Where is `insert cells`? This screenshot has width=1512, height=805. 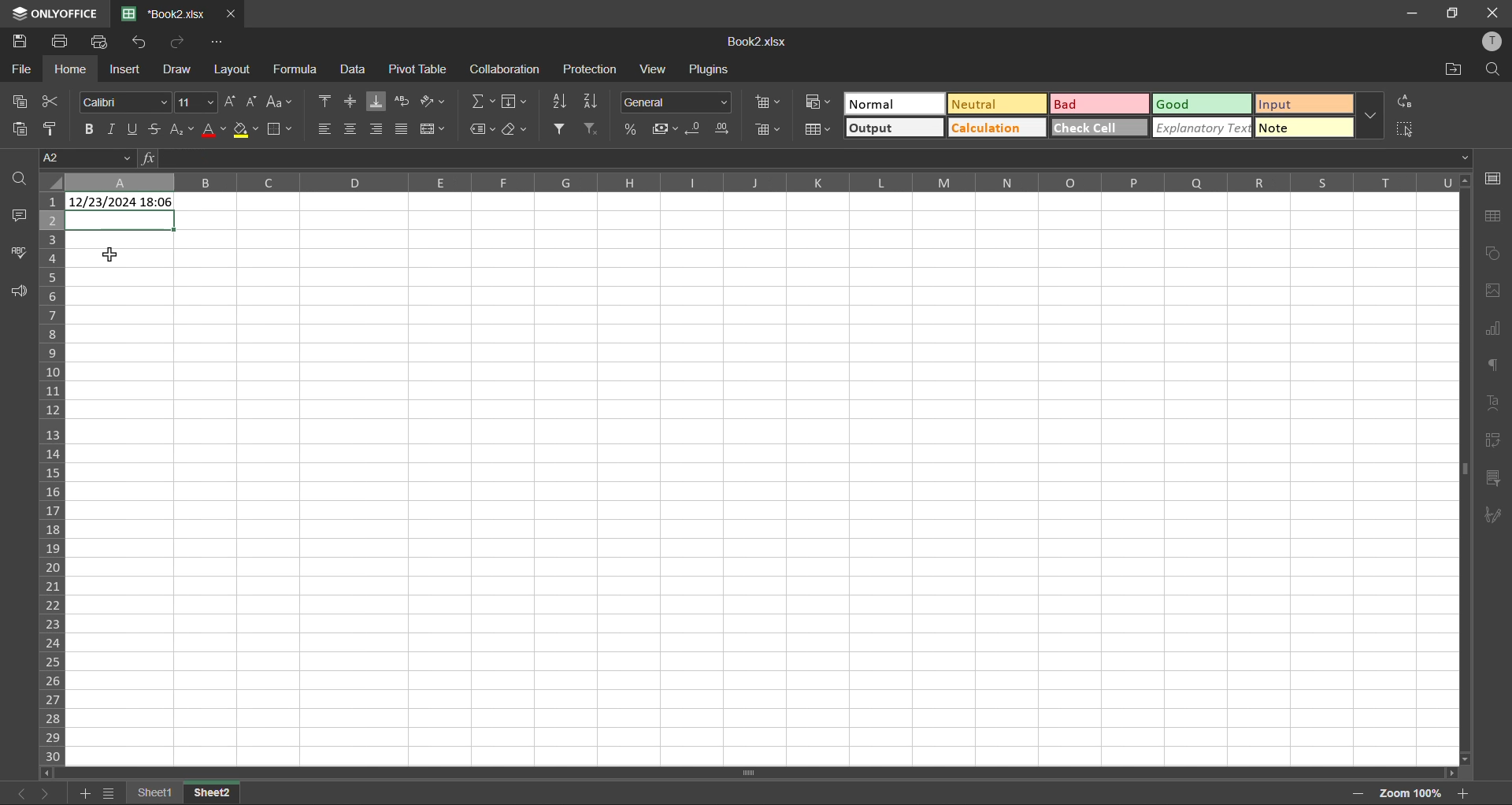 insert cells is located at coordinates (773, 103).